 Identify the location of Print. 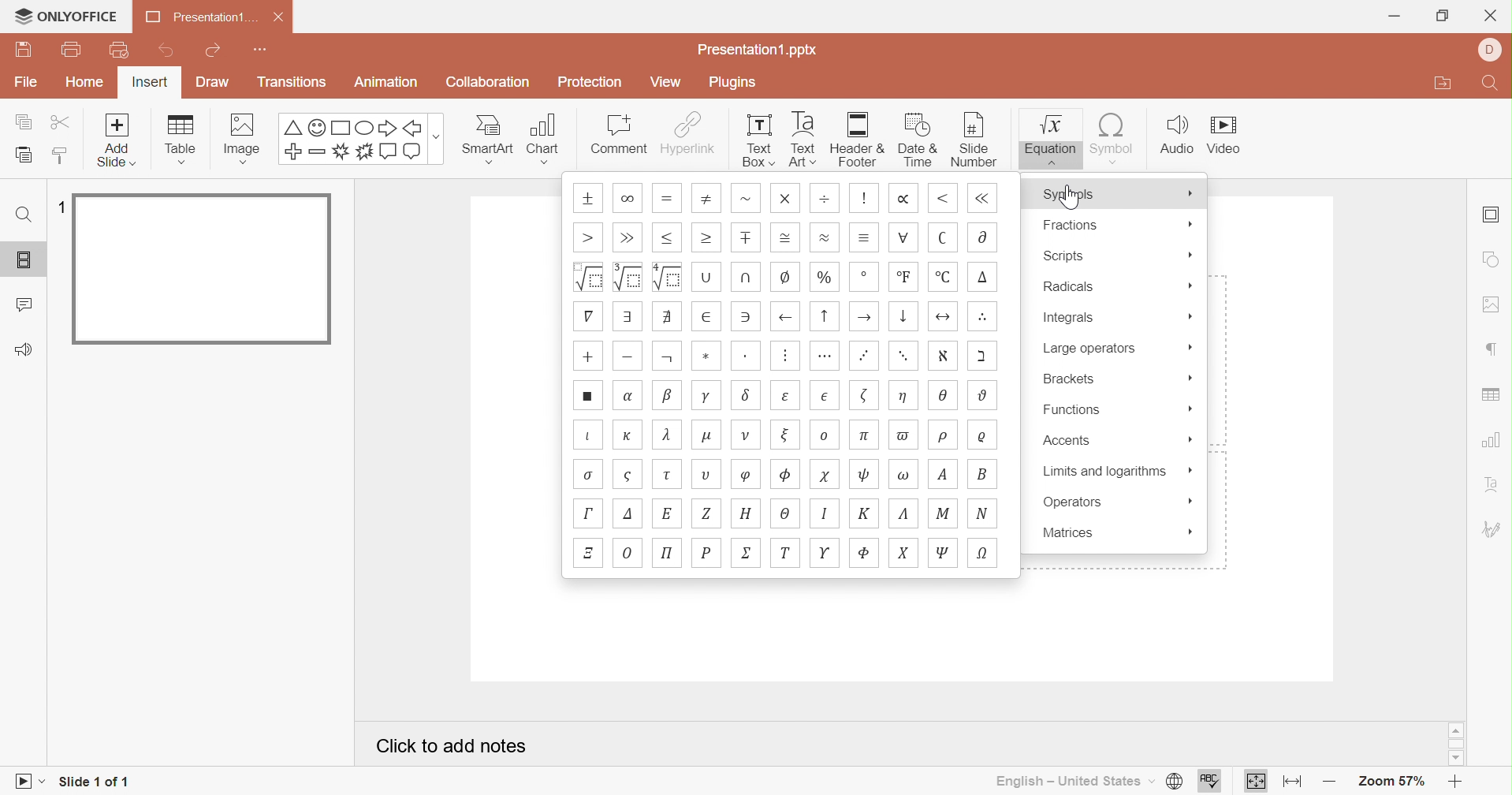
(73, 52).